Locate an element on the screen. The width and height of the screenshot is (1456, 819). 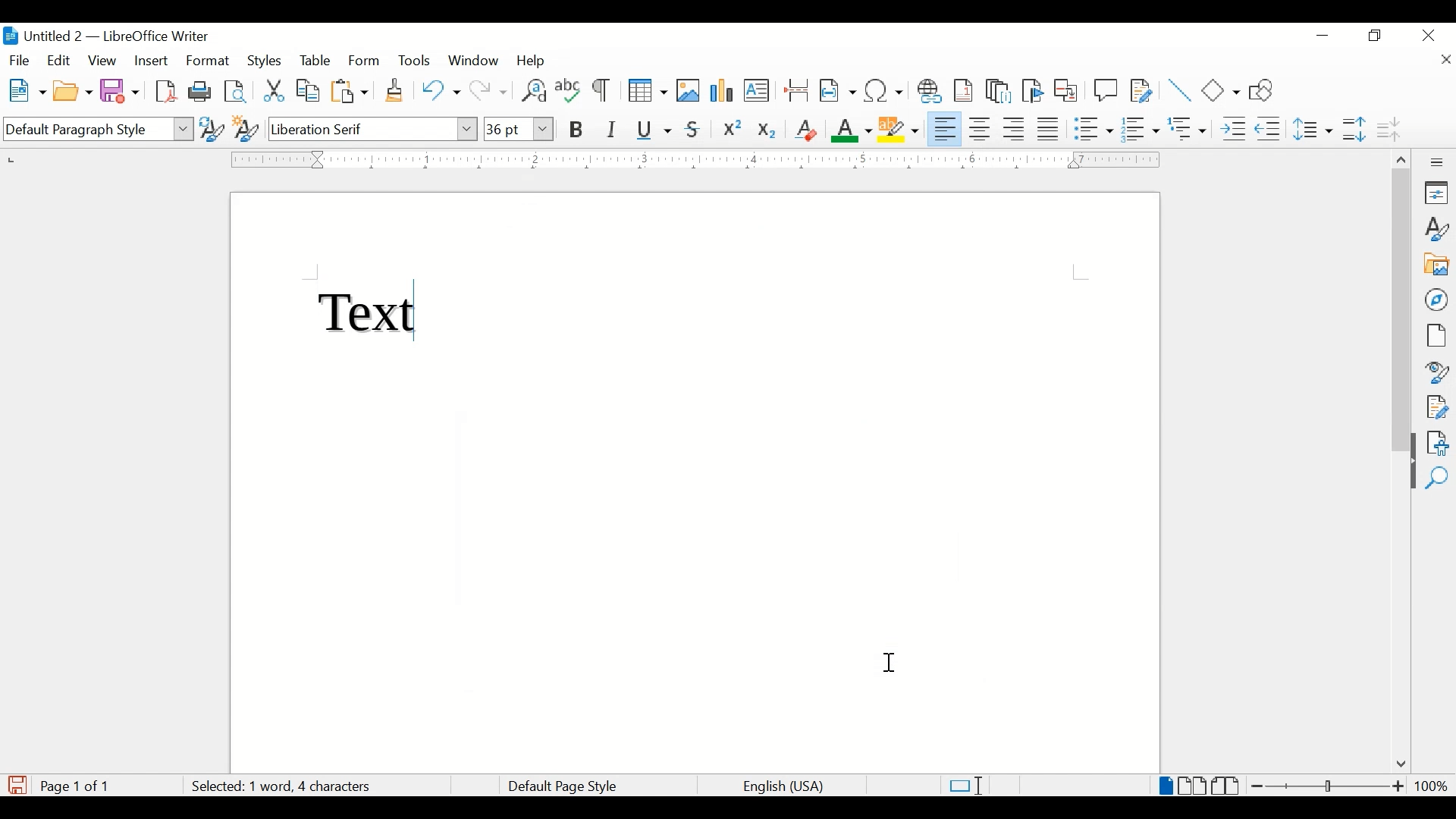
insert hyperlink is located at coordinates (930, 91).